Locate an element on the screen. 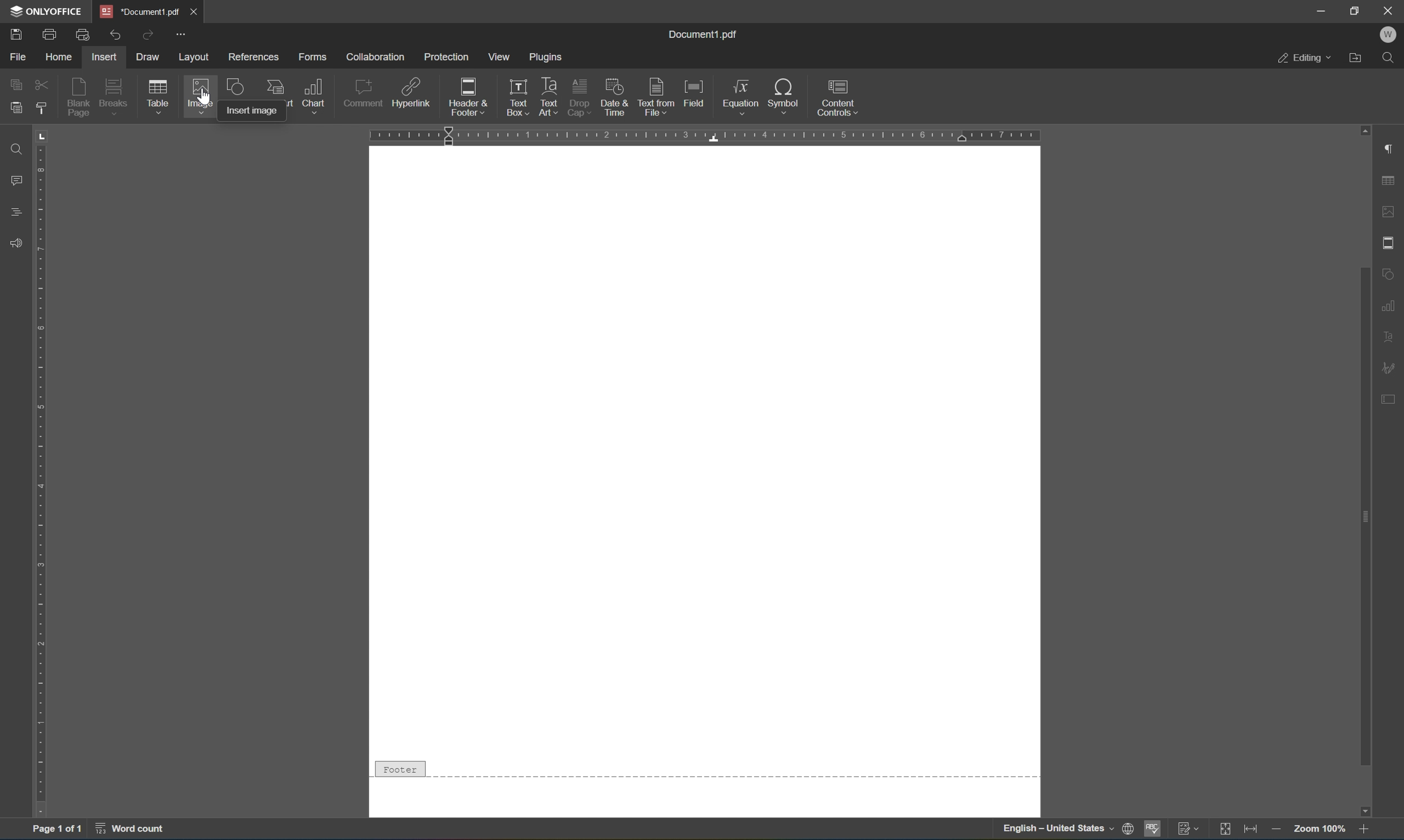 The height and width of the screenshot is (840, 1404). cut is located at coordinates (40, 83).